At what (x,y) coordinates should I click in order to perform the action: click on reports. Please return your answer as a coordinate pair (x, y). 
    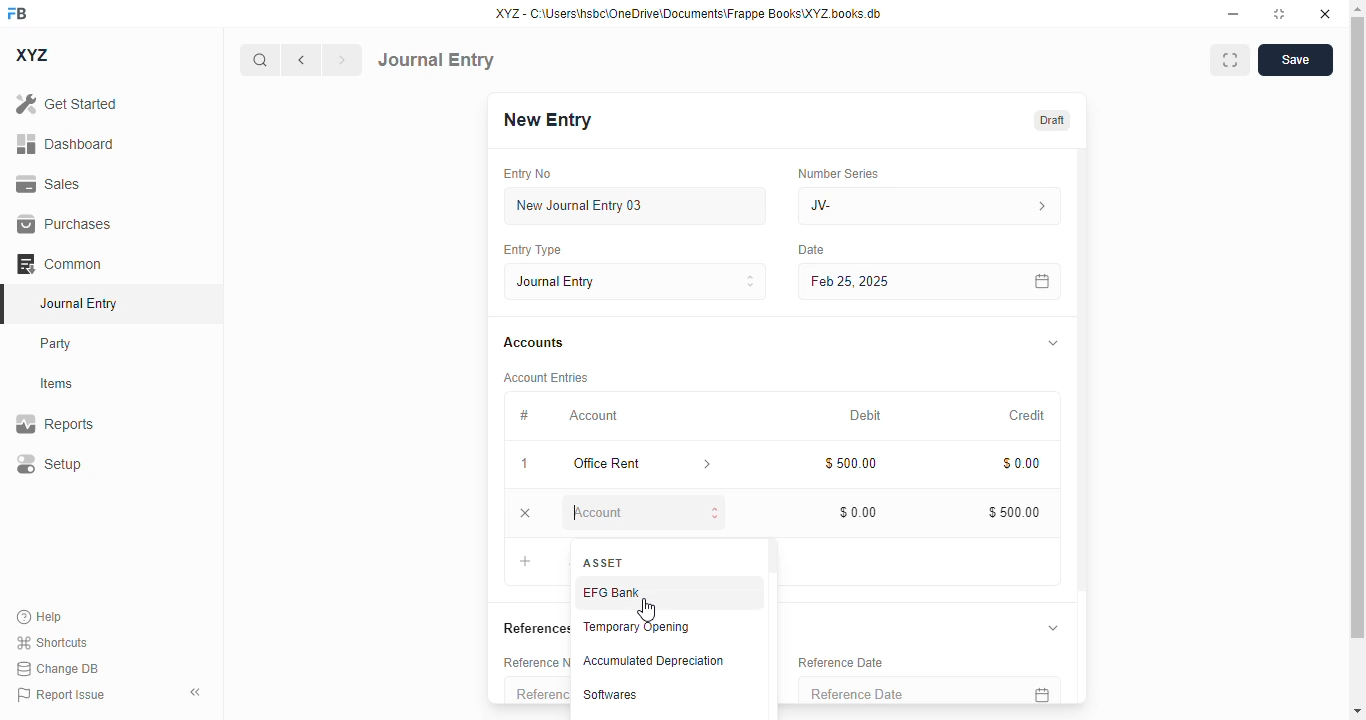
    Looking at the image, I should click on (55, 423).